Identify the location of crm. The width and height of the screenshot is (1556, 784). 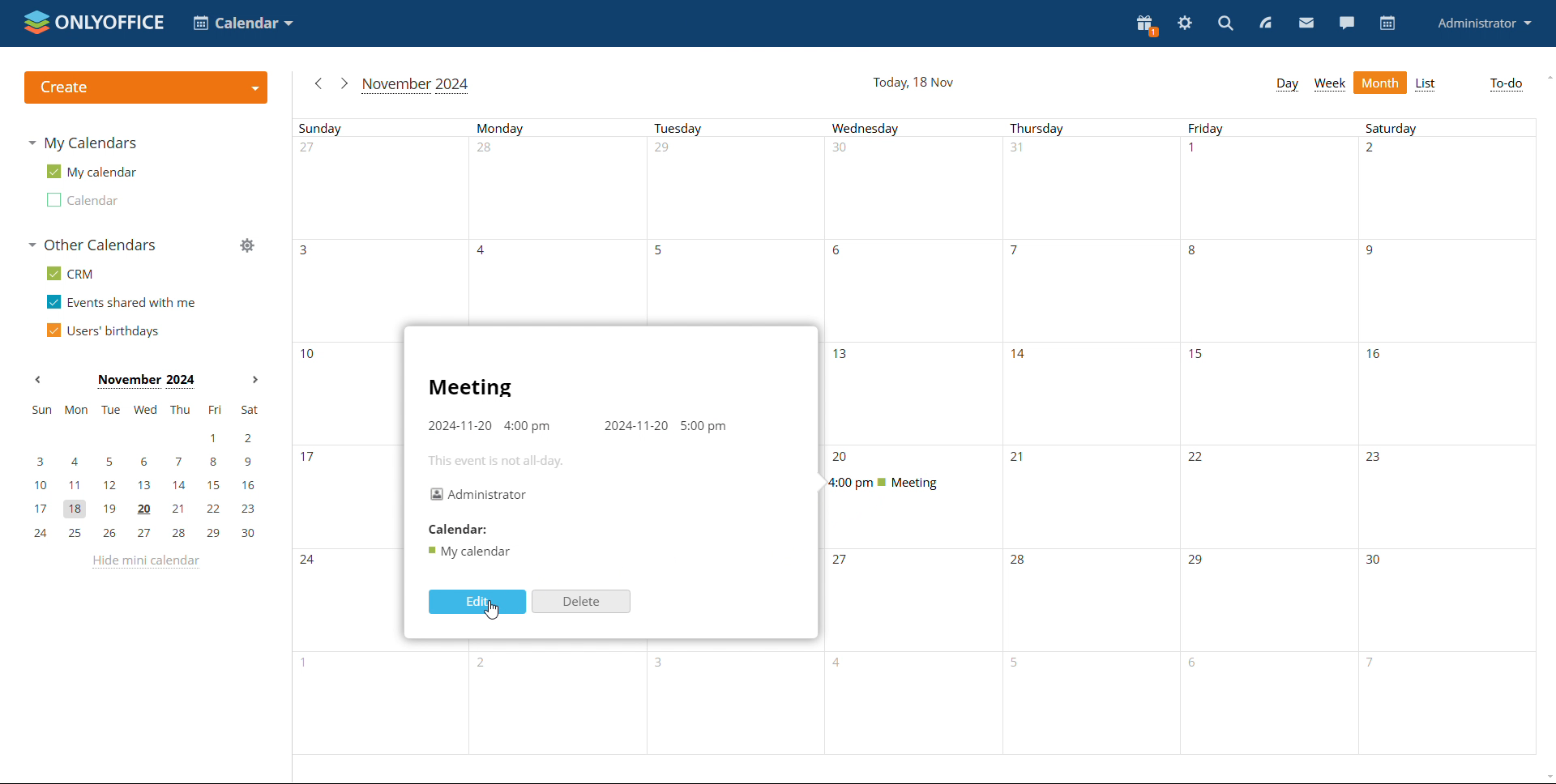
(69, 274).